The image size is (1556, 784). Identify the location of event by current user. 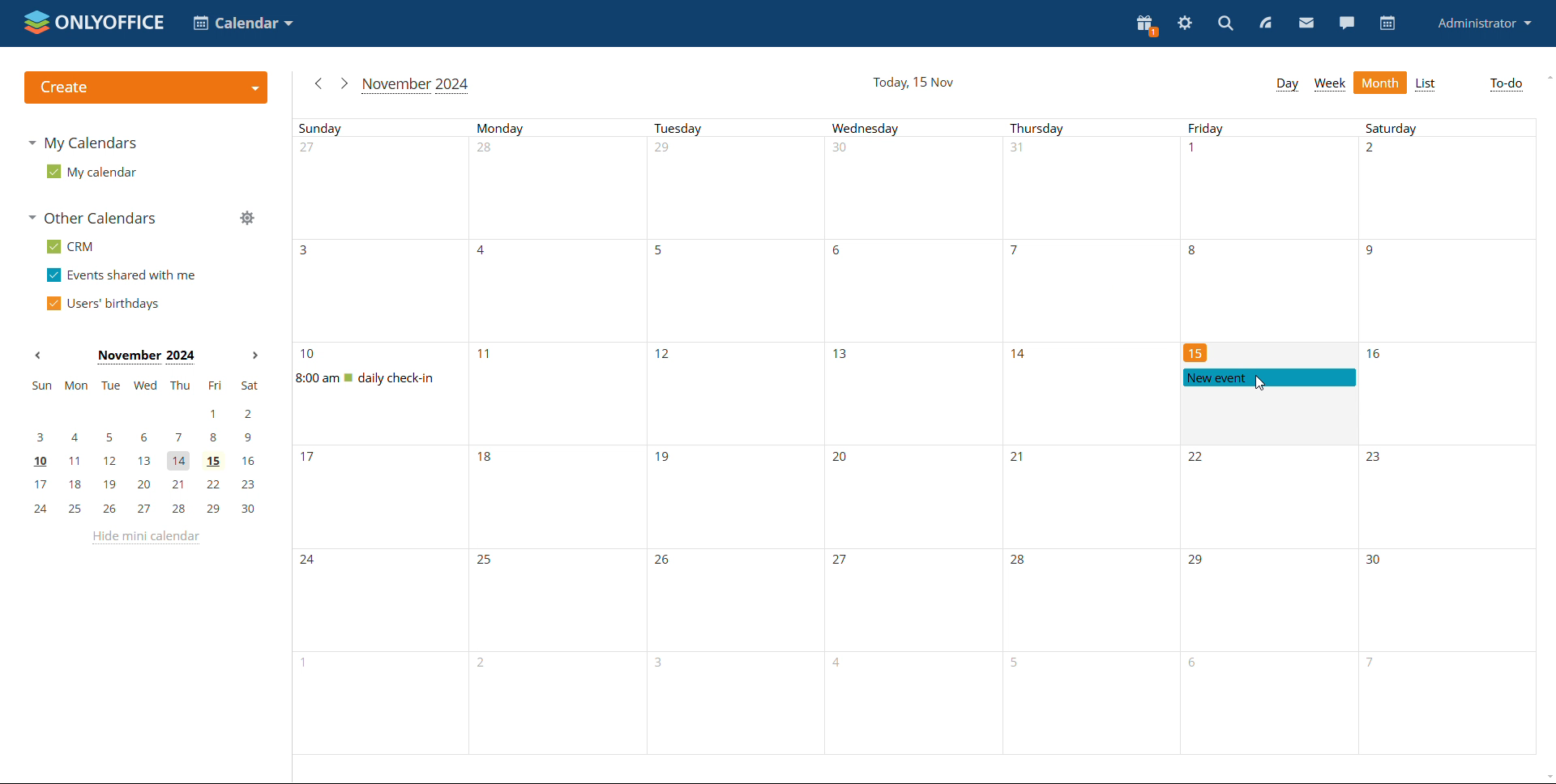
(388, 378).